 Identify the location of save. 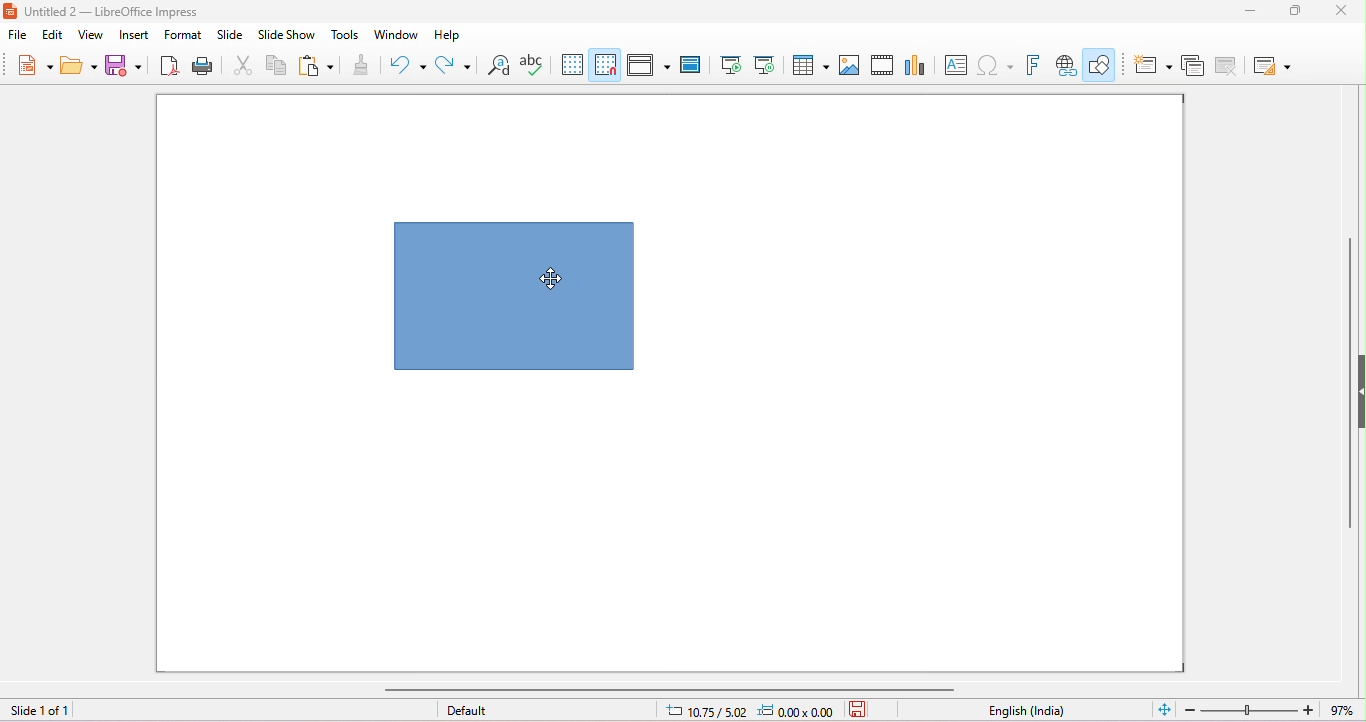
(121, 64).